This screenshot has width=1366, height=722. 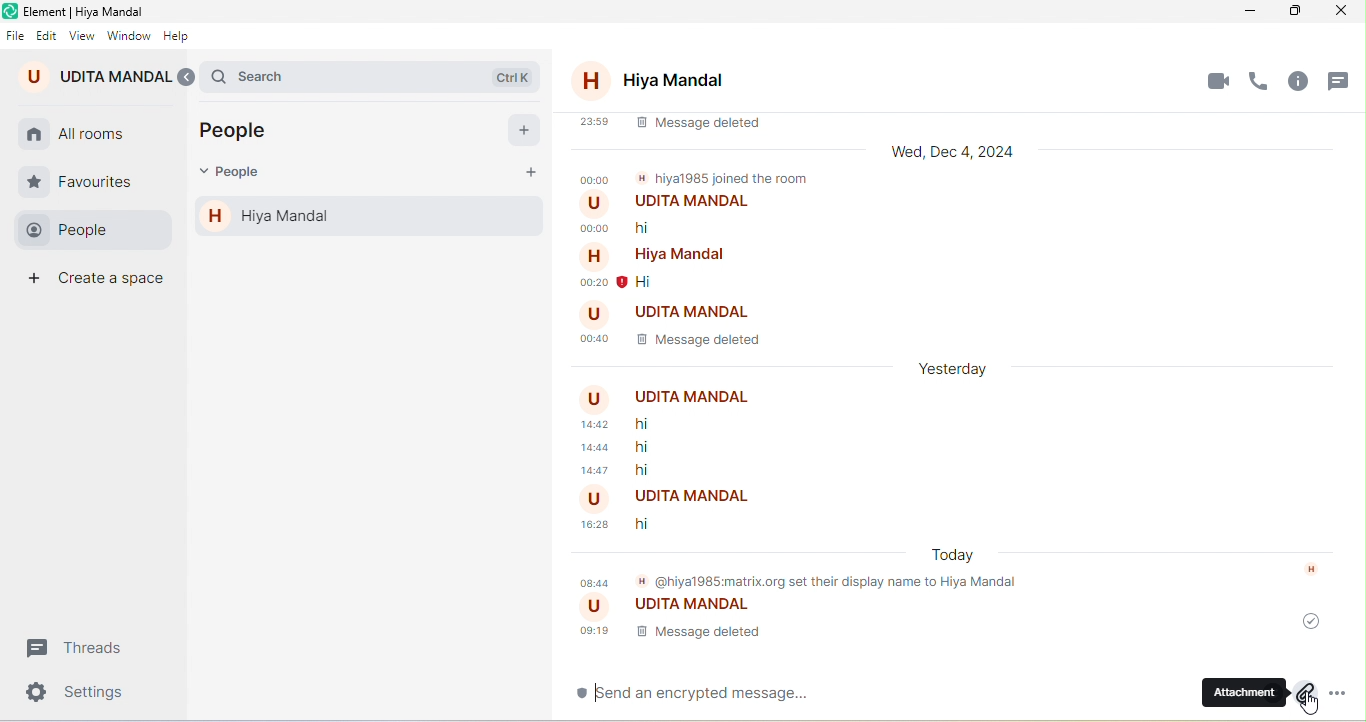 I want to click on create space, so click(x=100, y=282).